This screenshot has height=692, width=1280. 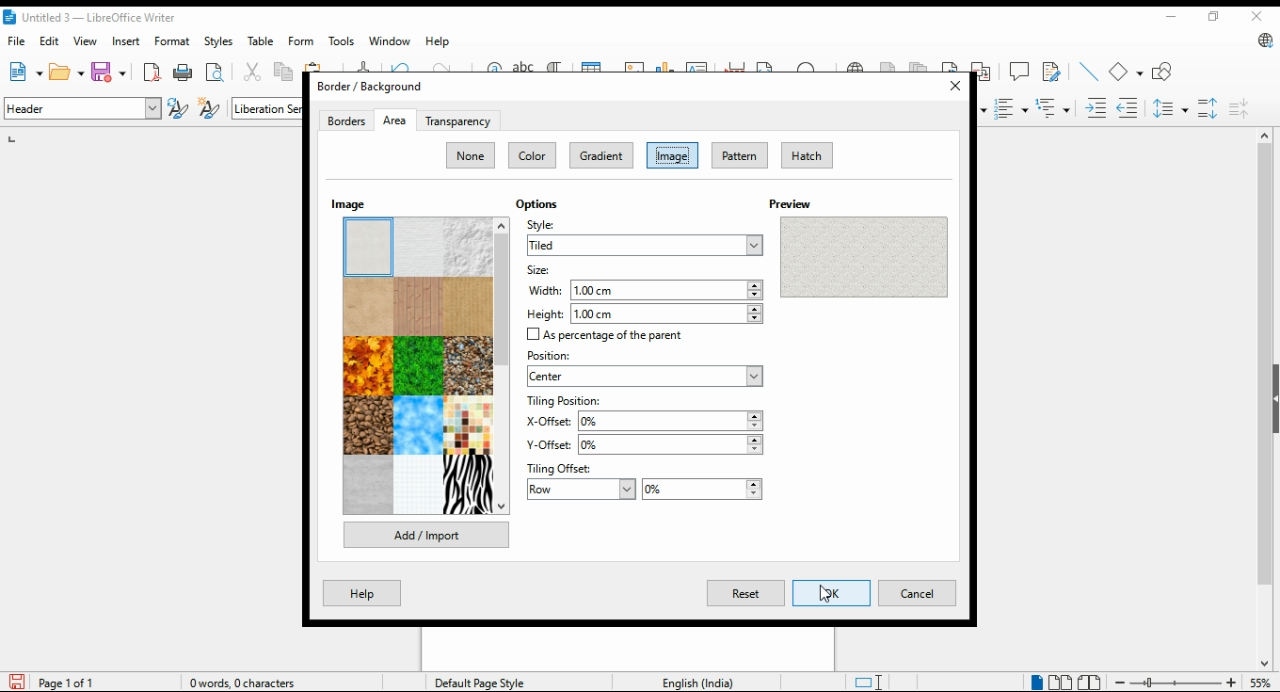 I want to click on images, so click(x=359, y=205).